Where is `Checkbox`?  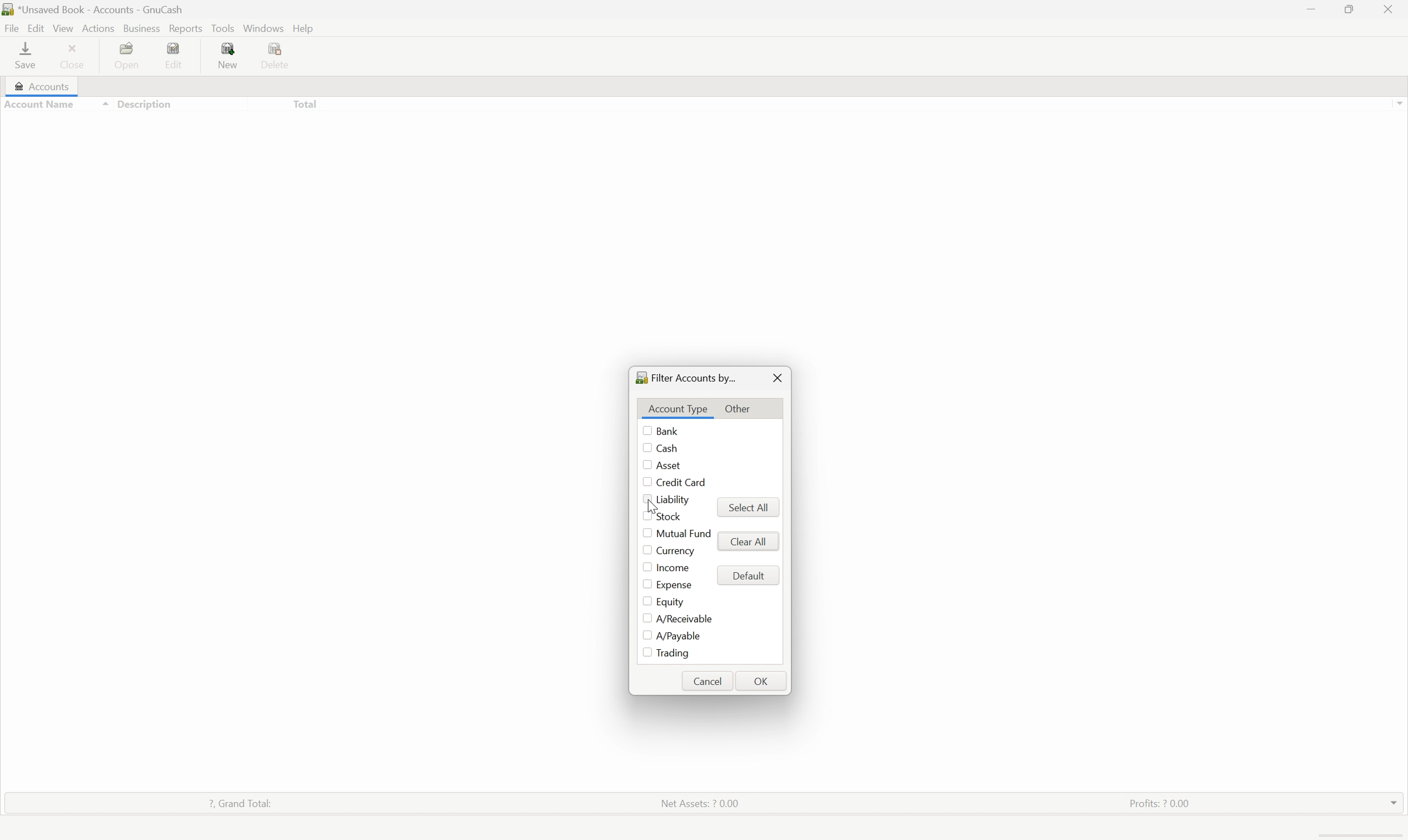 Checkbox is located at coordinates (643, 618).